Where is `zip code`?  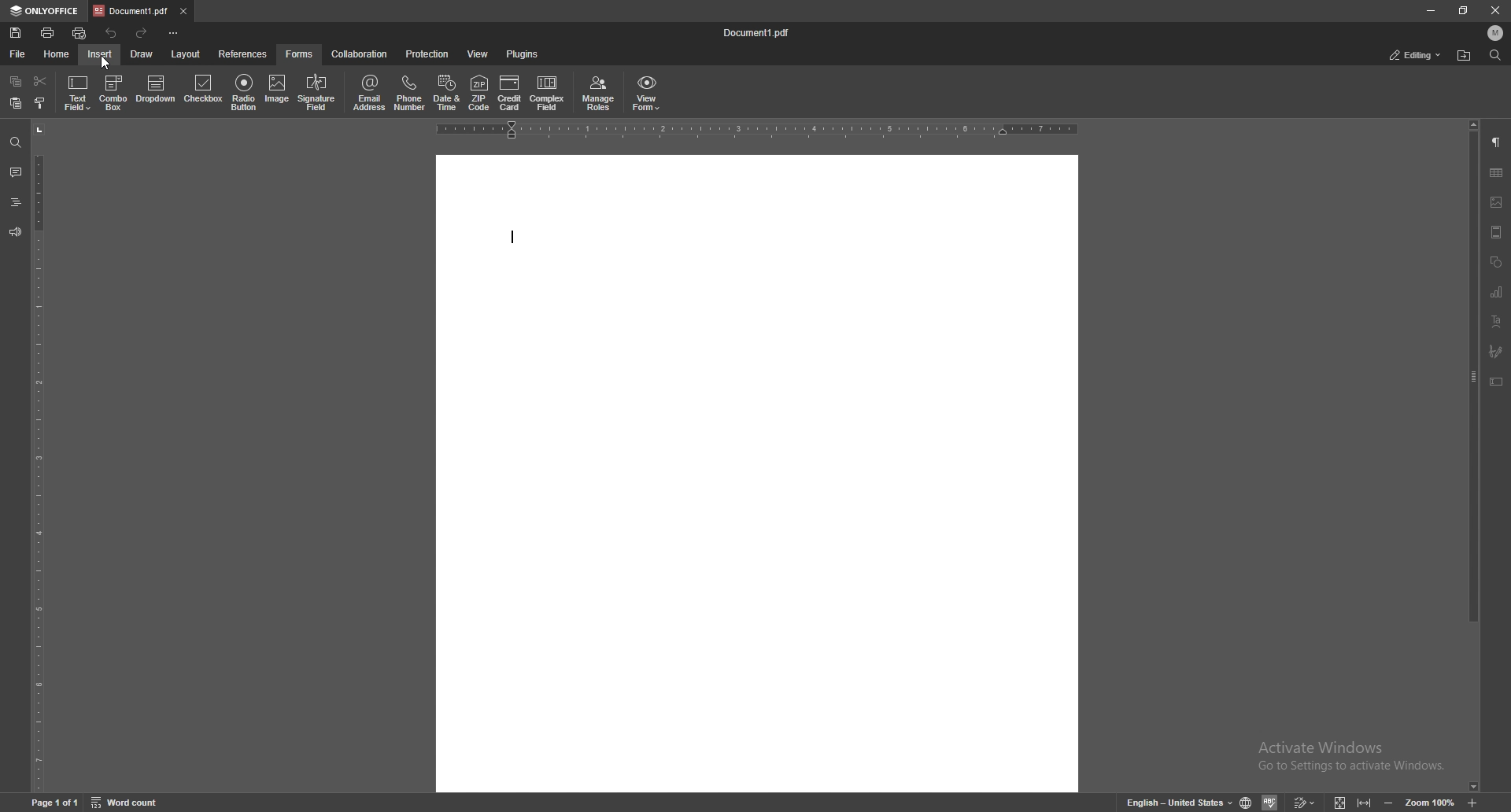 zip code is located at coordinates (480, 93).